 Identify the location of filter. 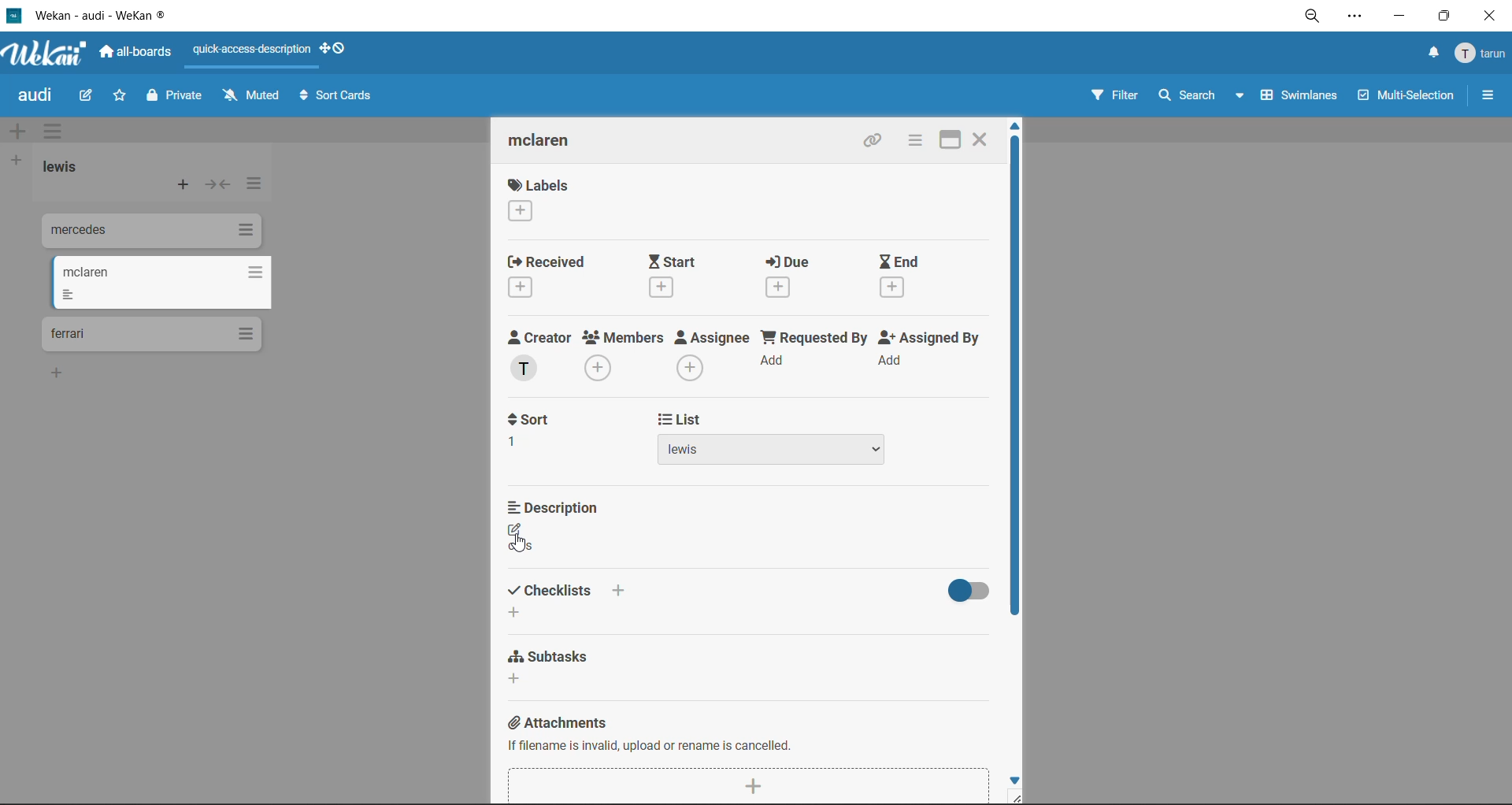
(1114, 97).